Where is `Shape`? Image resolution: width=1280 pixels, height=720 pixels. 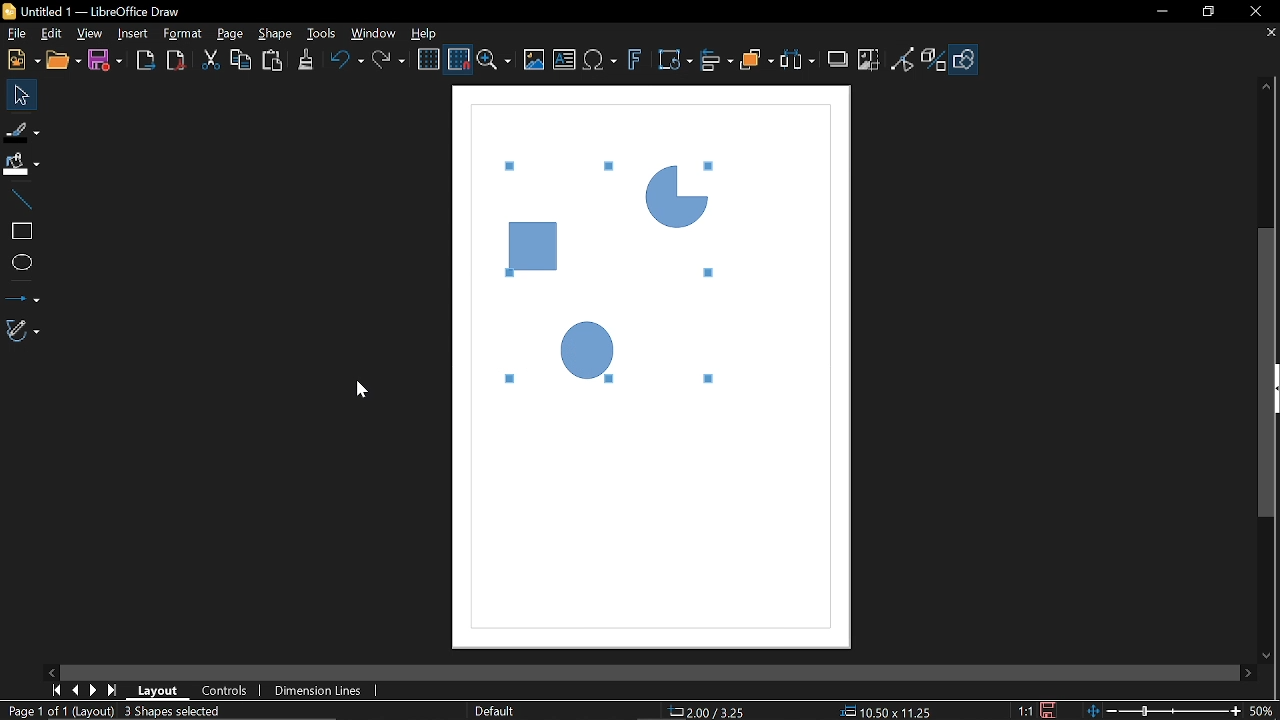
Shape is located at coordinates (274, 35).